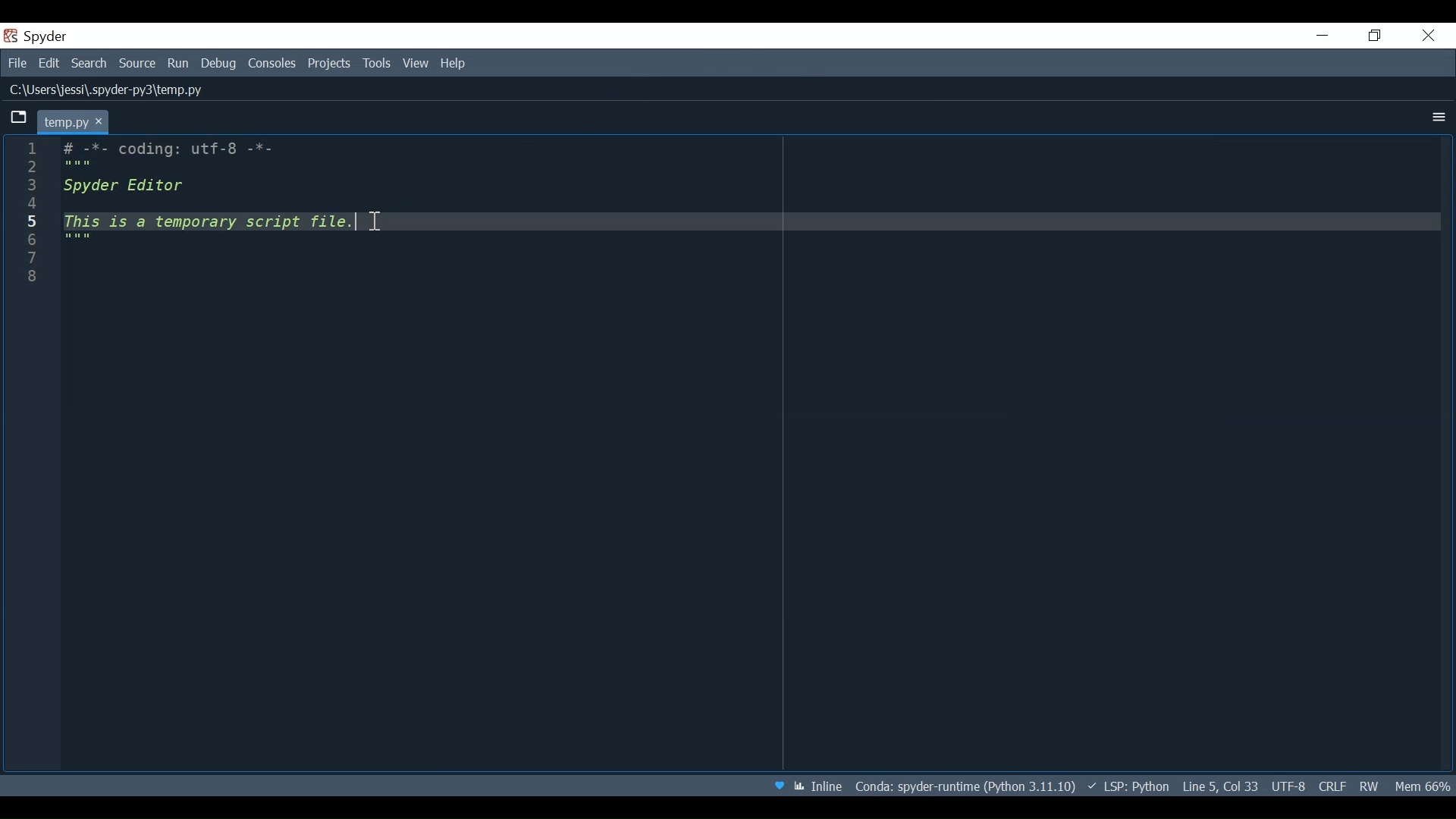 This screenshot has width=1456, height=819. I want to click on Close, so click(1426, 36).